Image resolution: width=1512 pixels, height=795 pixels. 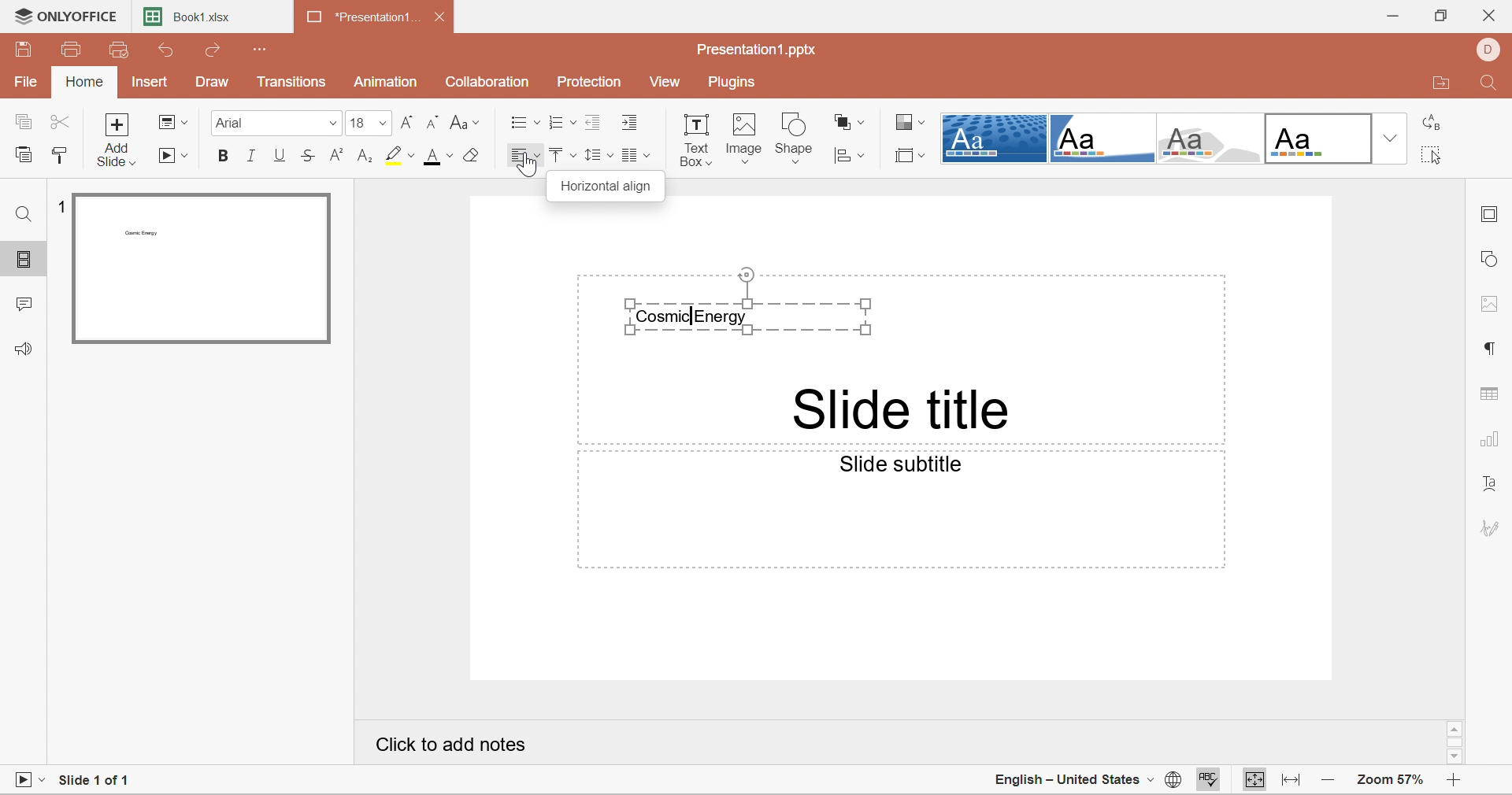 I want to click on Slides, so click(x=25, y=260).